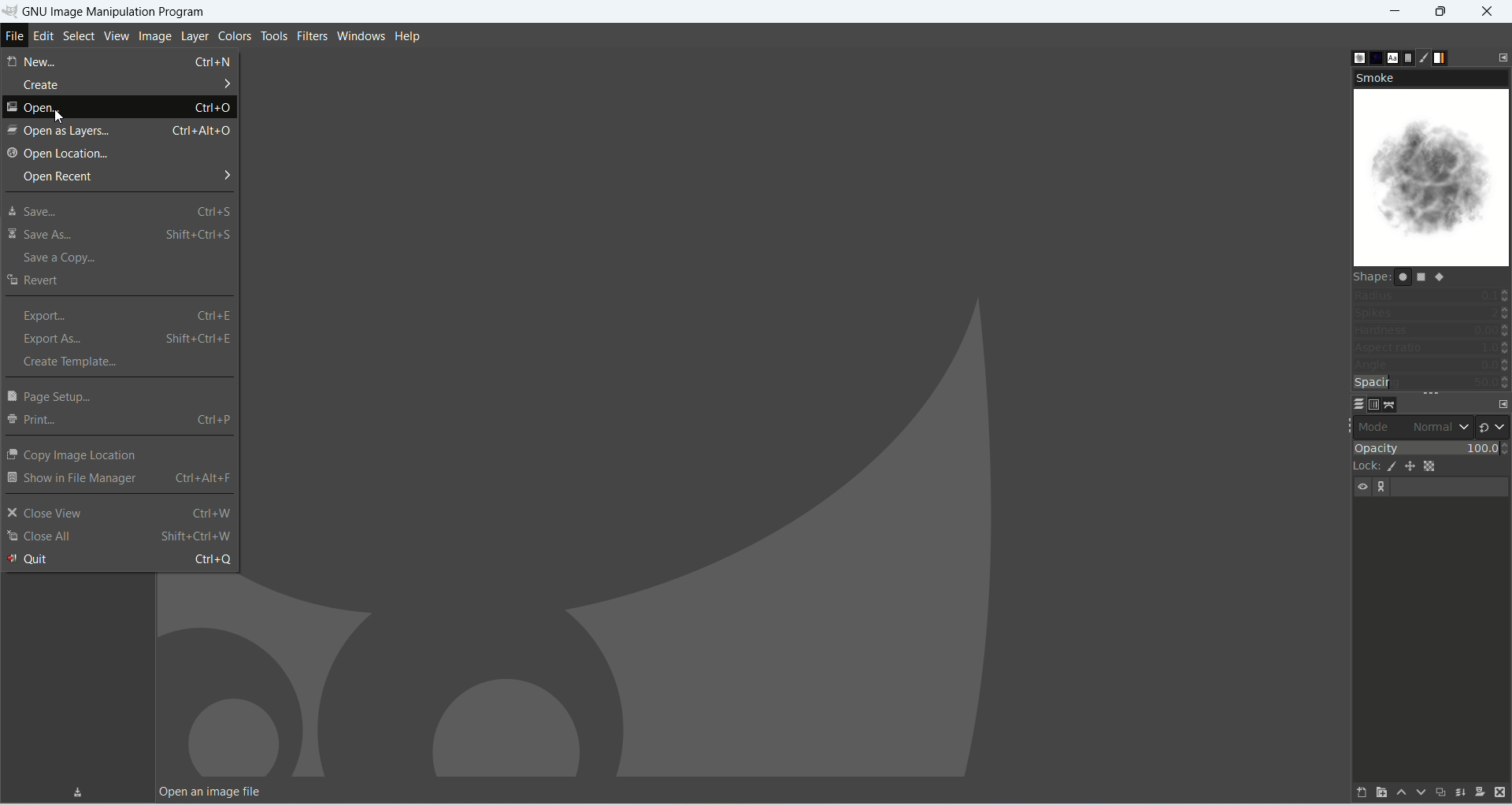 This screenshot has width=1512, height=805. Describe the element at coordinates (1492, 426) in the screenshot. I see `switch to another group` at that location.